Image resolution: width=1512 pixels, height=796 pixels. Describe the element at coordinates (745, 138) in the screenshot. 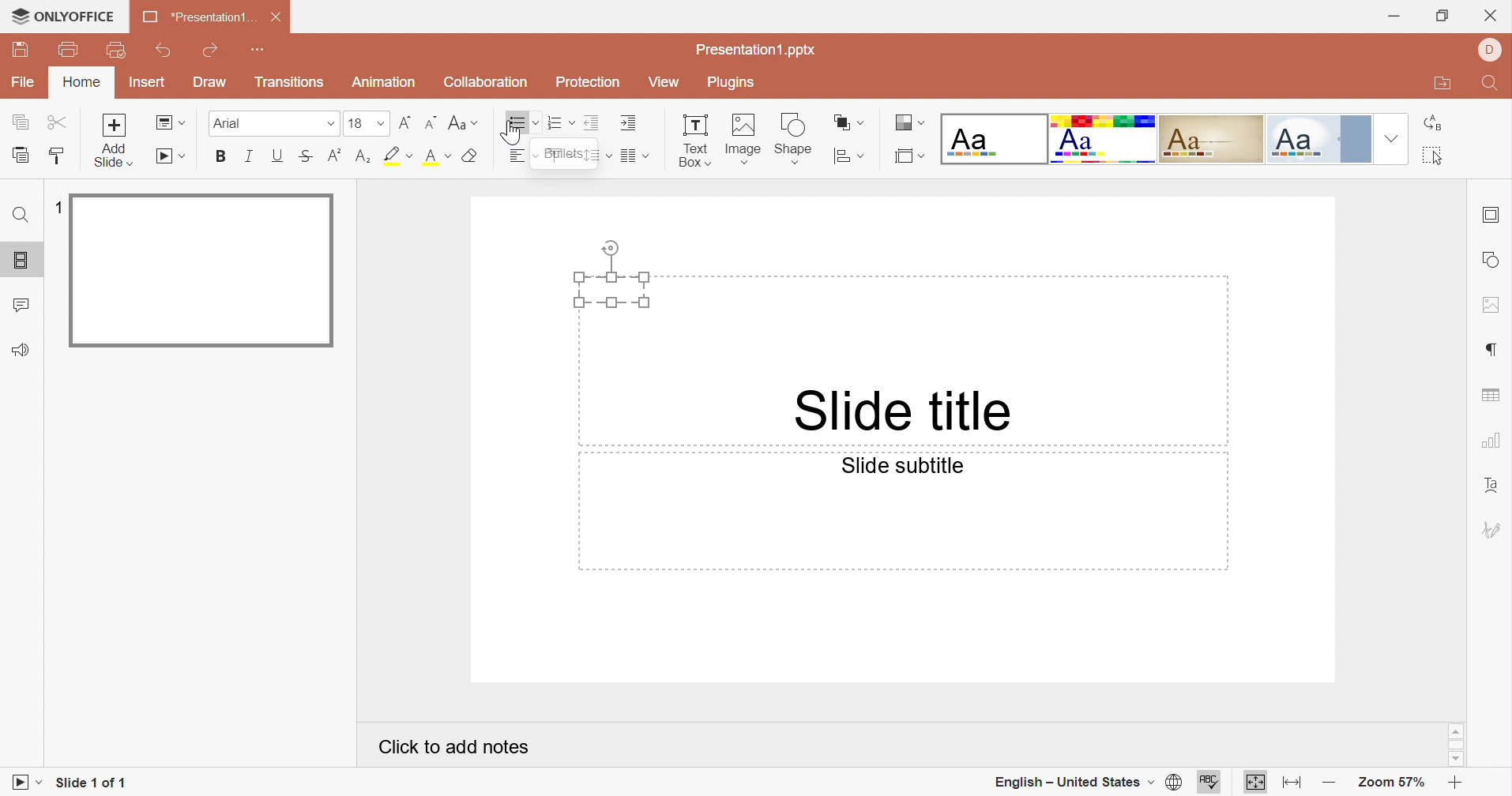

I see `Image` at that location.